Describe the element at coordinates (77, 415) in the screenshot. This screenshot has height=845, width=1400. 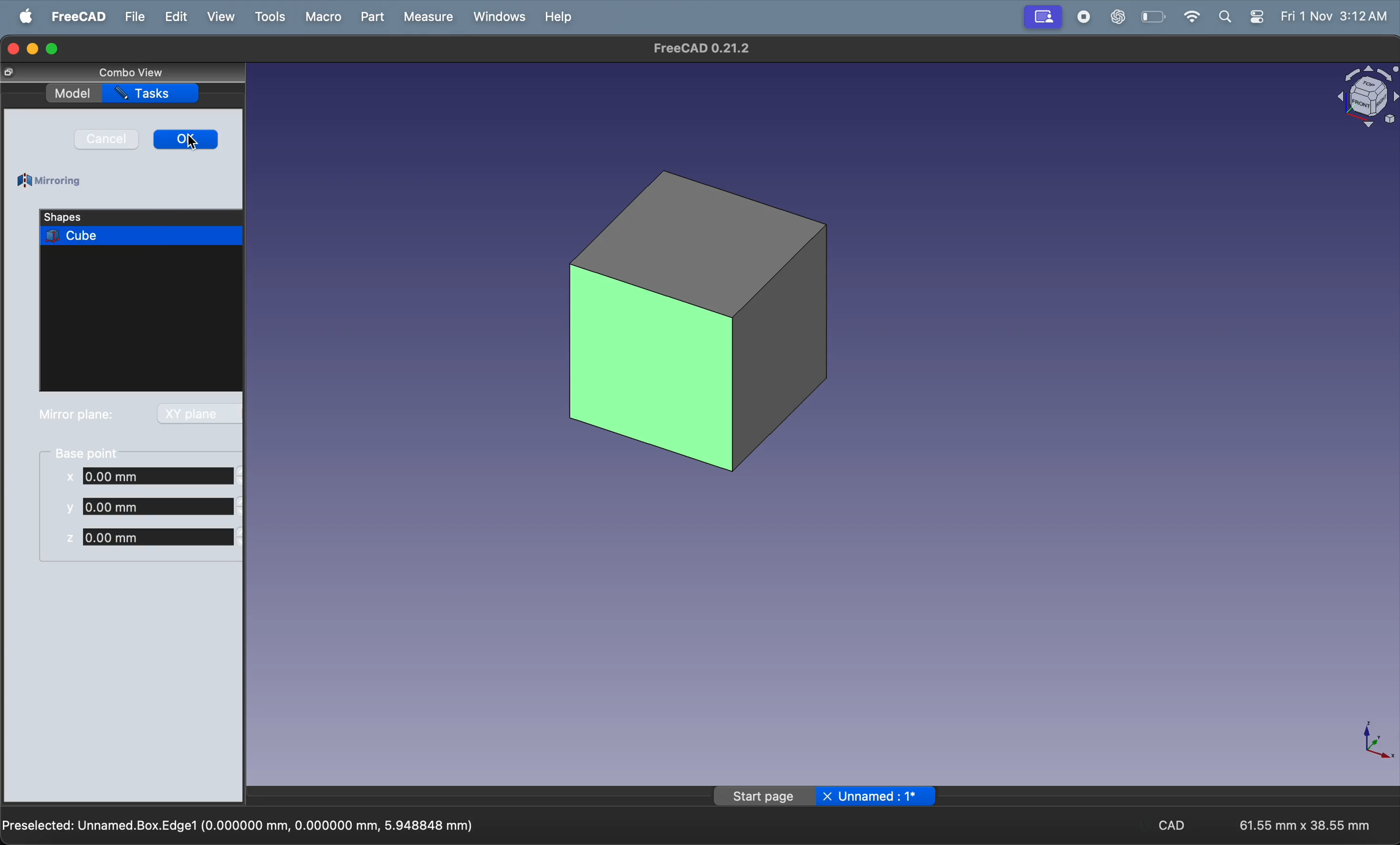
I see `mirror plane` at that location.